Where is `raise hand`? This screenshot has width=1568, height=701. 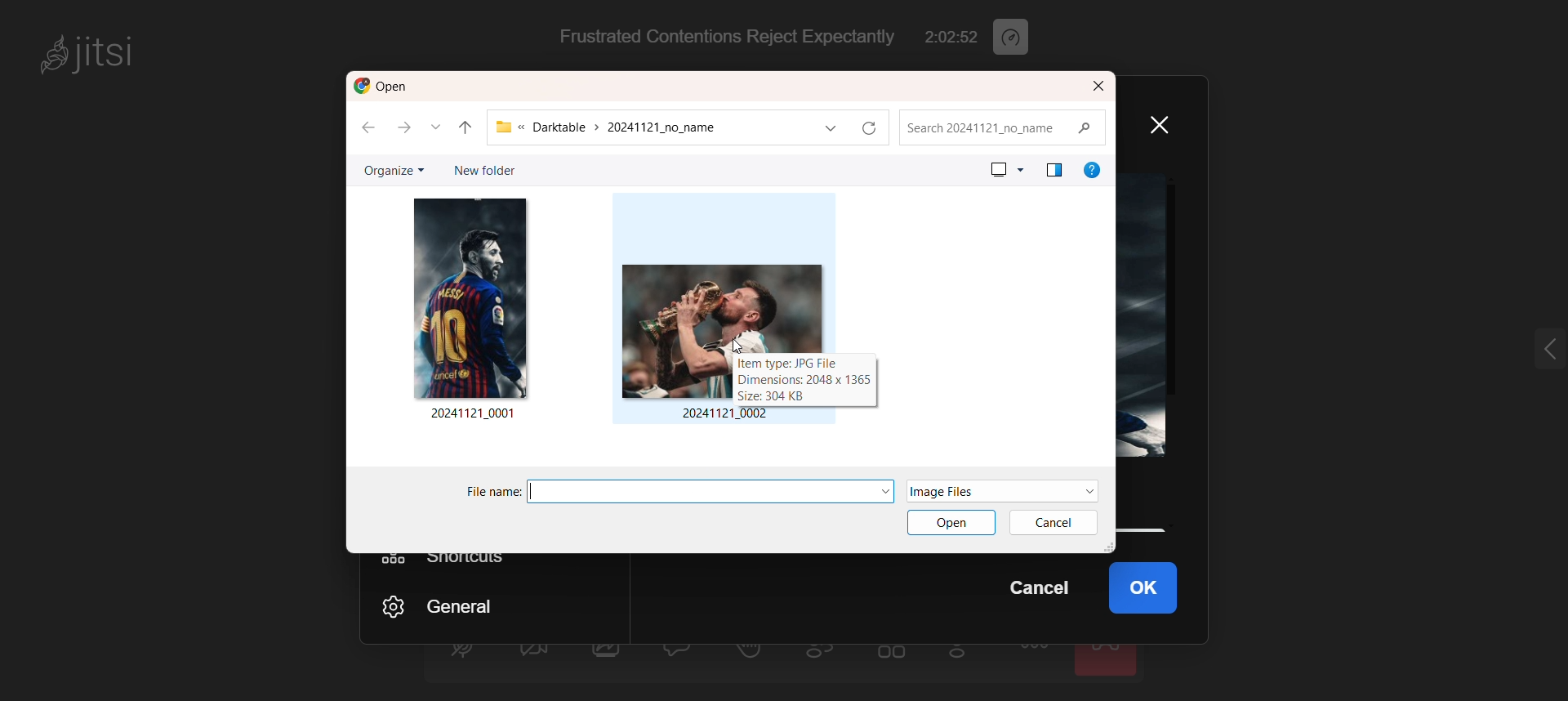 raise hand is located at coordinates (750, 656).